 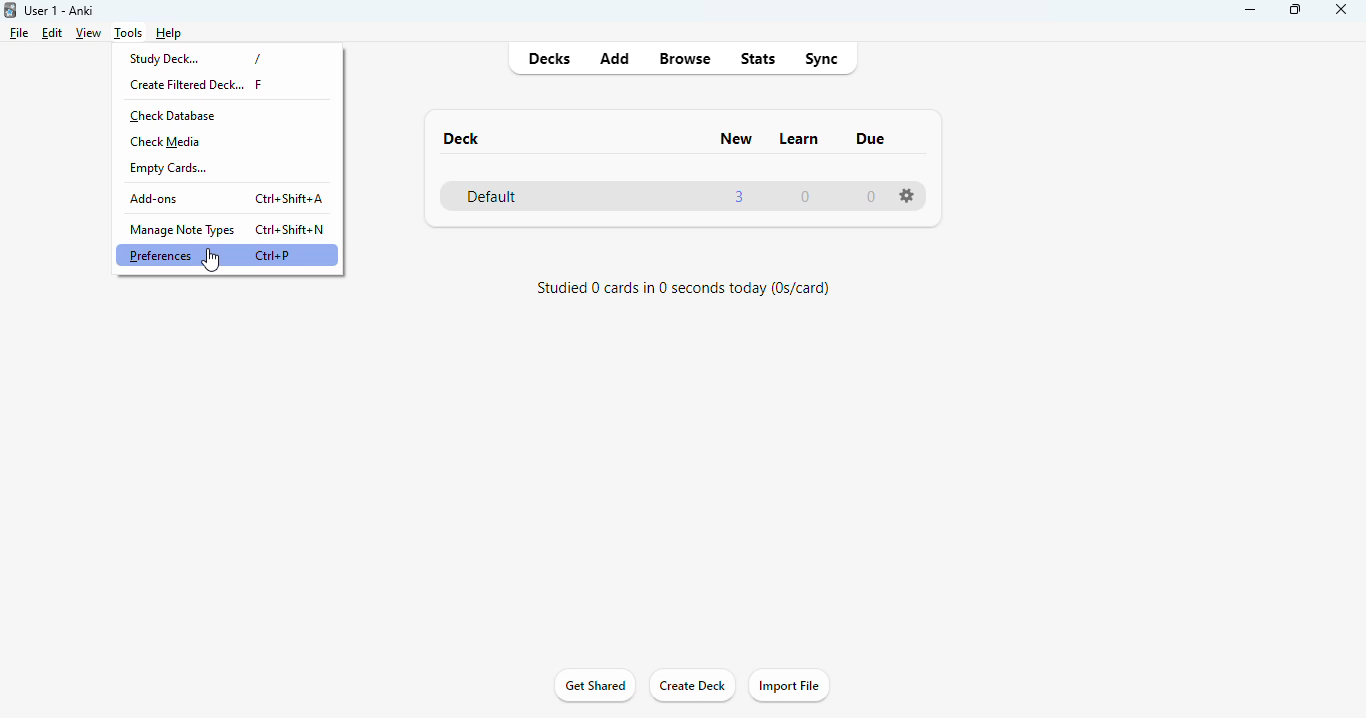 I want to click on Ctrl+P, so click(x=274, y=254).